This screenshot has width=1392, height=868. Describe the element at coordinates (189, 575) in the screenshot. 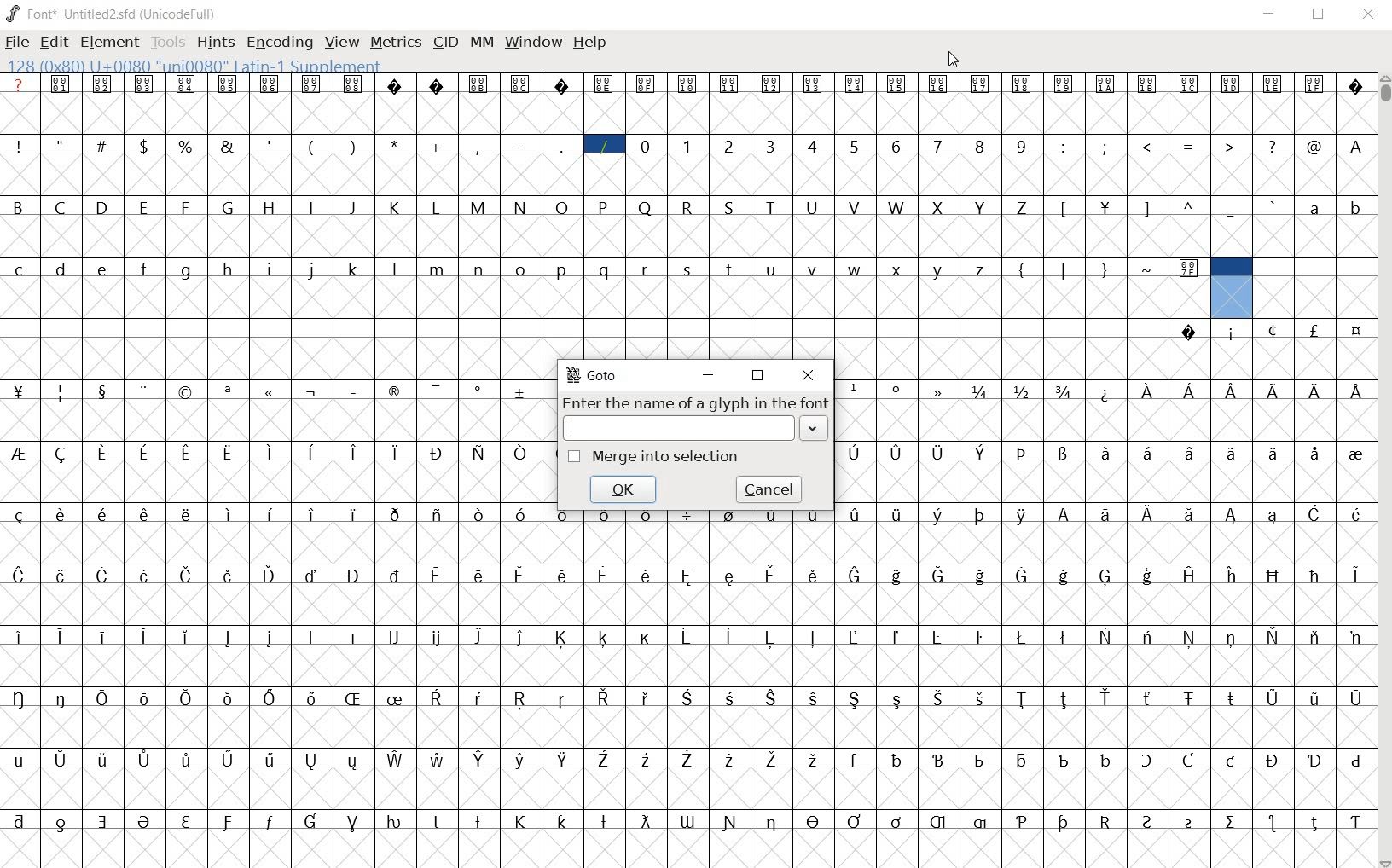

I see `Symbol` at that location.